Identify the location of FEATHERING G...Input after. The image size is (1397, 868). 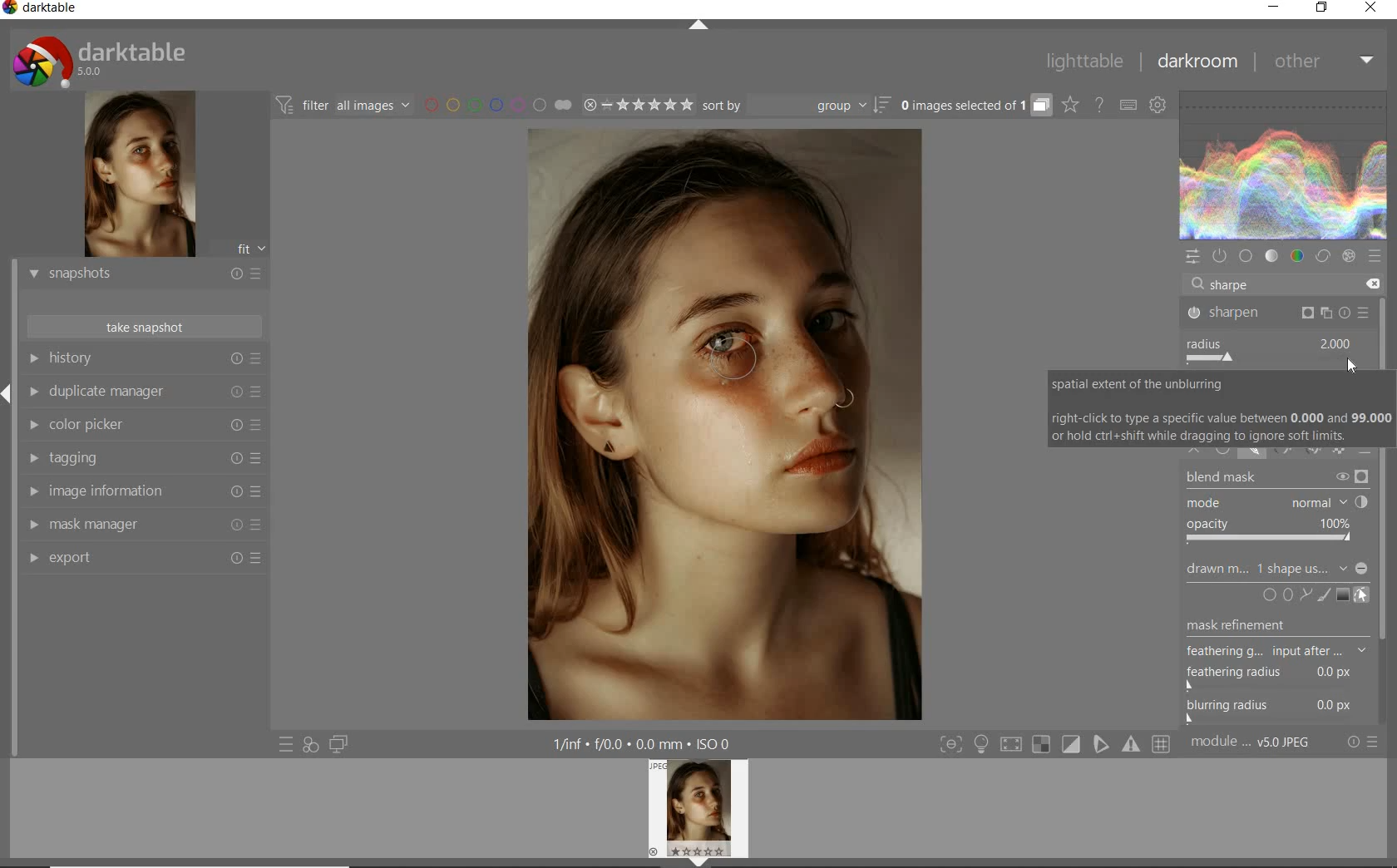
(1262, 649).